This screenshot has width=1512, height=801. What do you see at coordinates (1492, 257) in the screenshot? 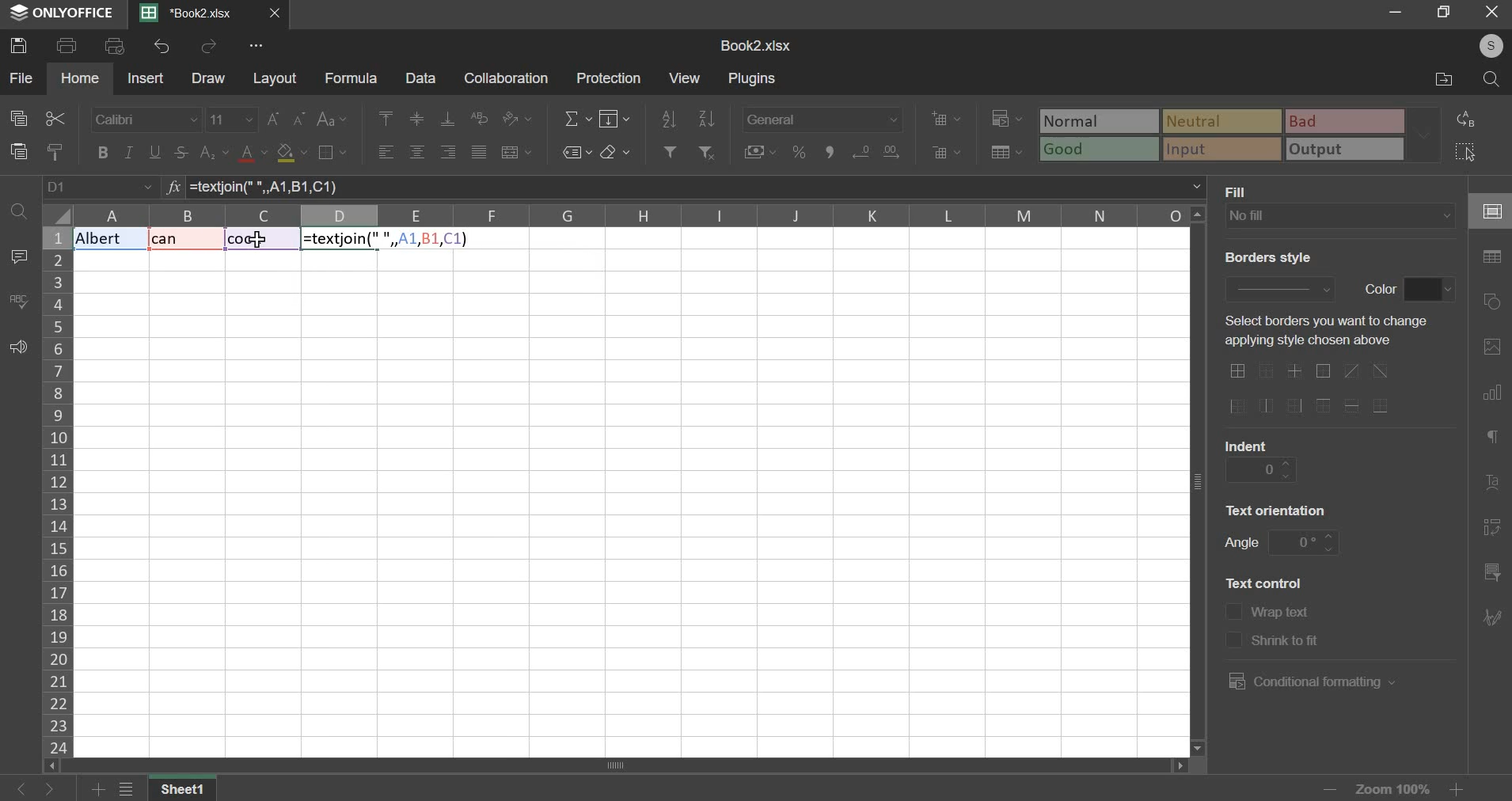
I see `table` at bounding box center [1492, 257].